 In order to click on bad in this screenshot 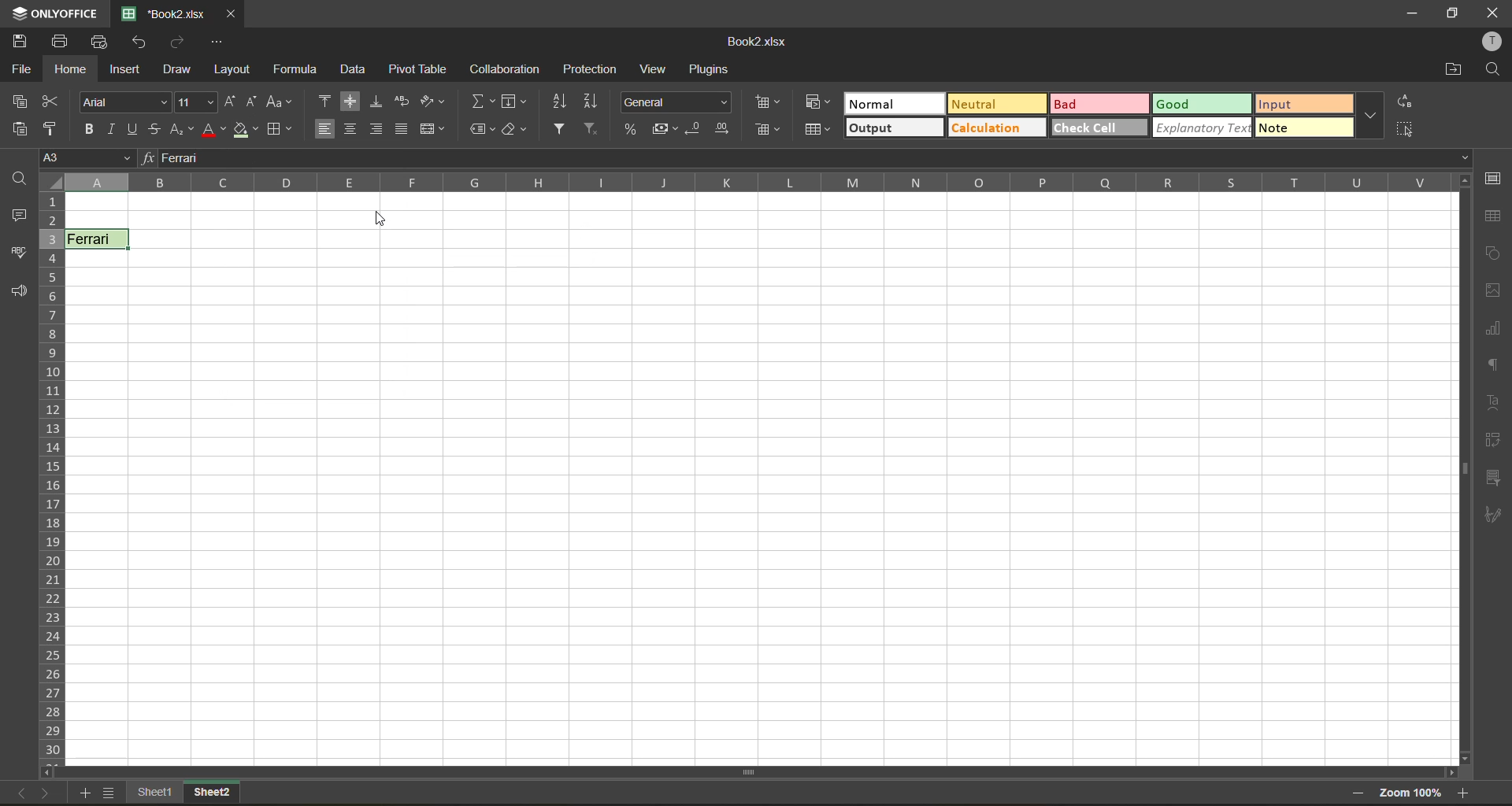, I will do `click(1095, 104)`.